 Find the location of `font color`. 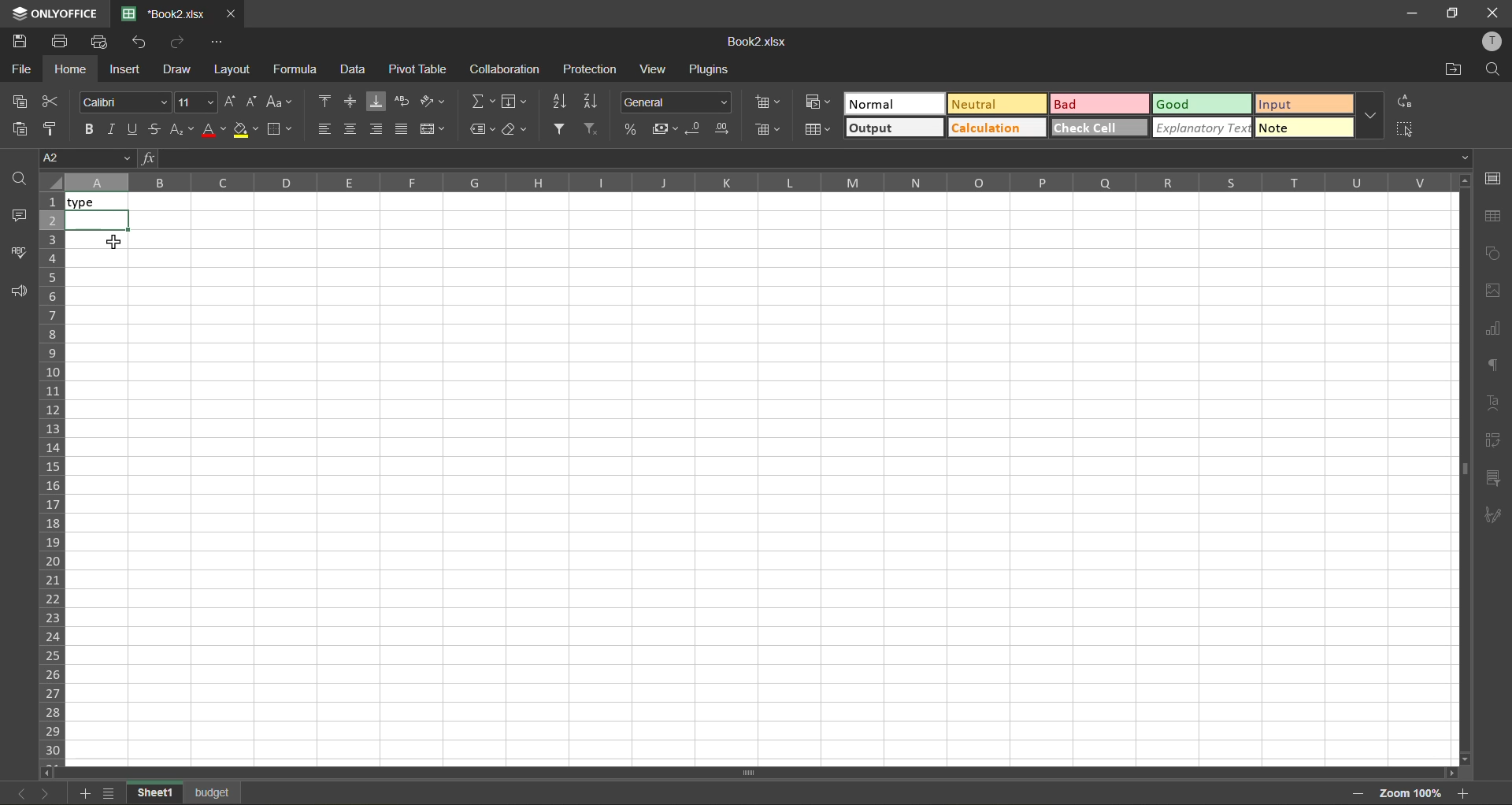

font color is located at coordinates (217, 132).